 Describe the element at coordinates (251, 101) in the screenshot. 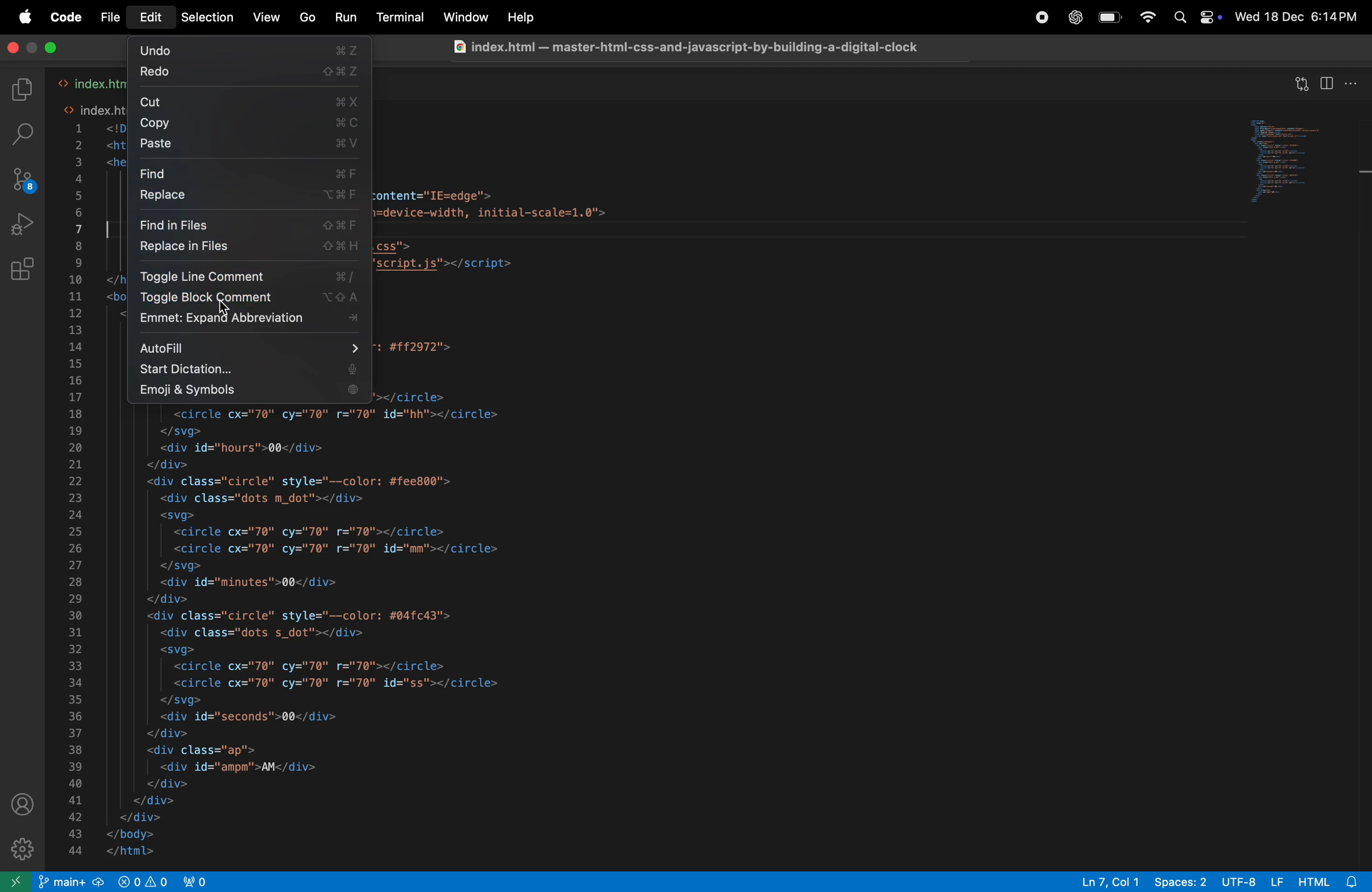

I see `cut` at that location.